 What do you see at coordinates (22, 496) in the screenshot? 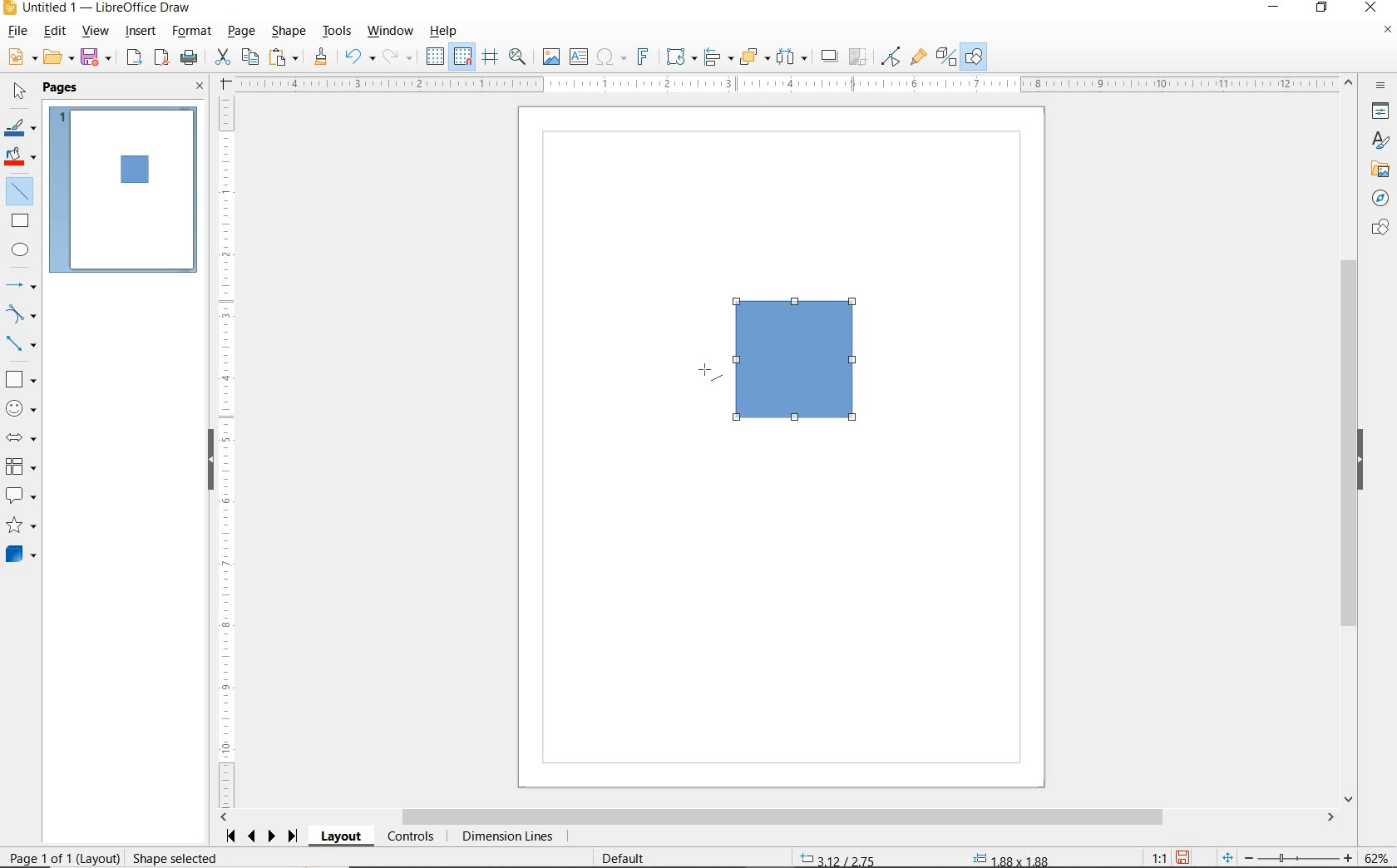
I see `CALLOUT SHAPES` at bounding box center [22, 496].